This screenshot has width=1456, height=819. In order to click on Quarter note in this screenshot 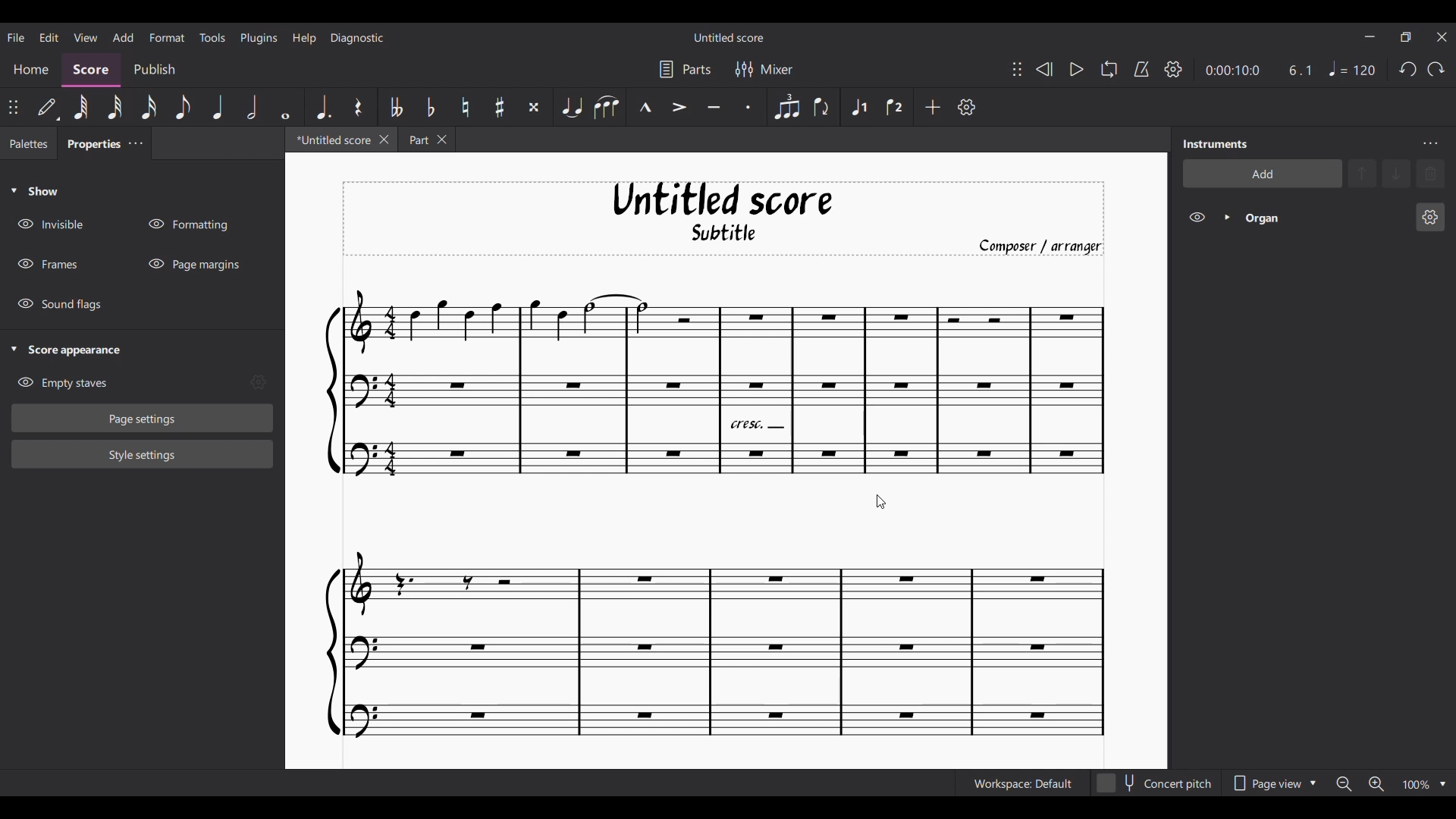, I will do `click(218, 107)`.